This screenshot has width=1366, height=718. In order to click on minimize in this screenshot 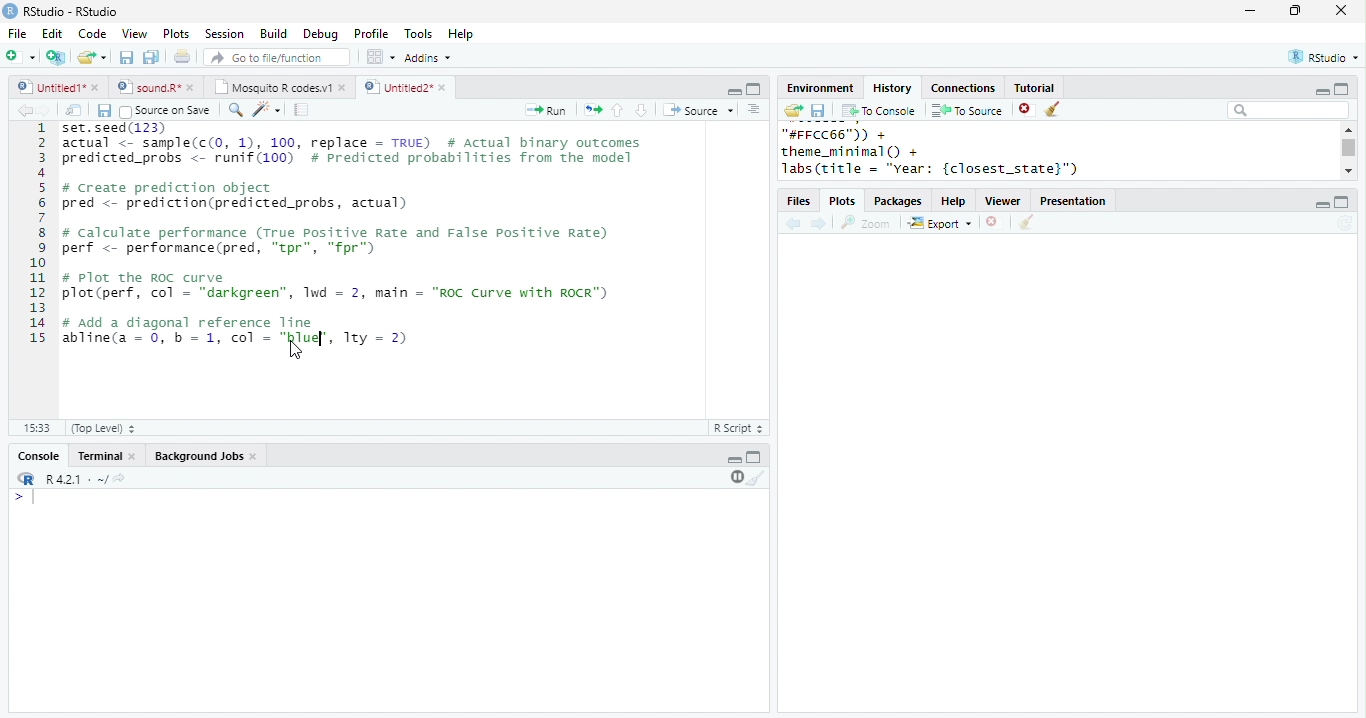, I will do `click(1249, 10)`.